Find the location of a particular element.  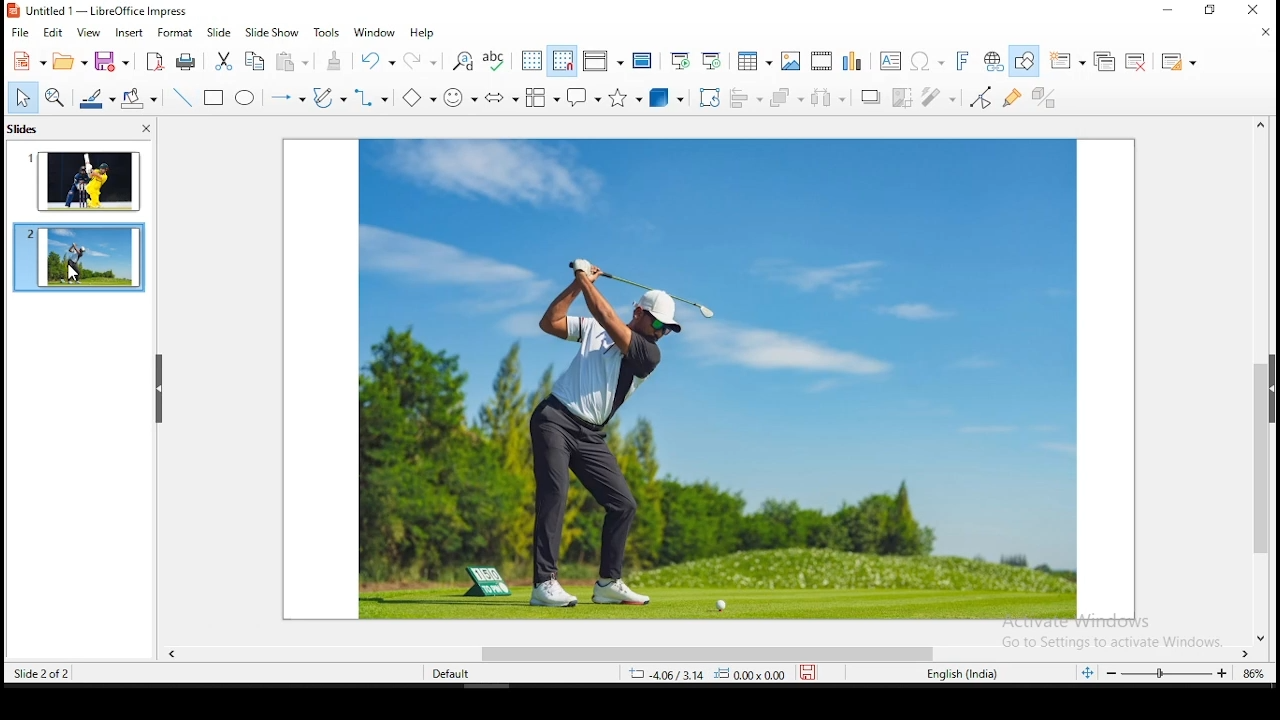

insert fontwork text is located at coordinates (961, 59).